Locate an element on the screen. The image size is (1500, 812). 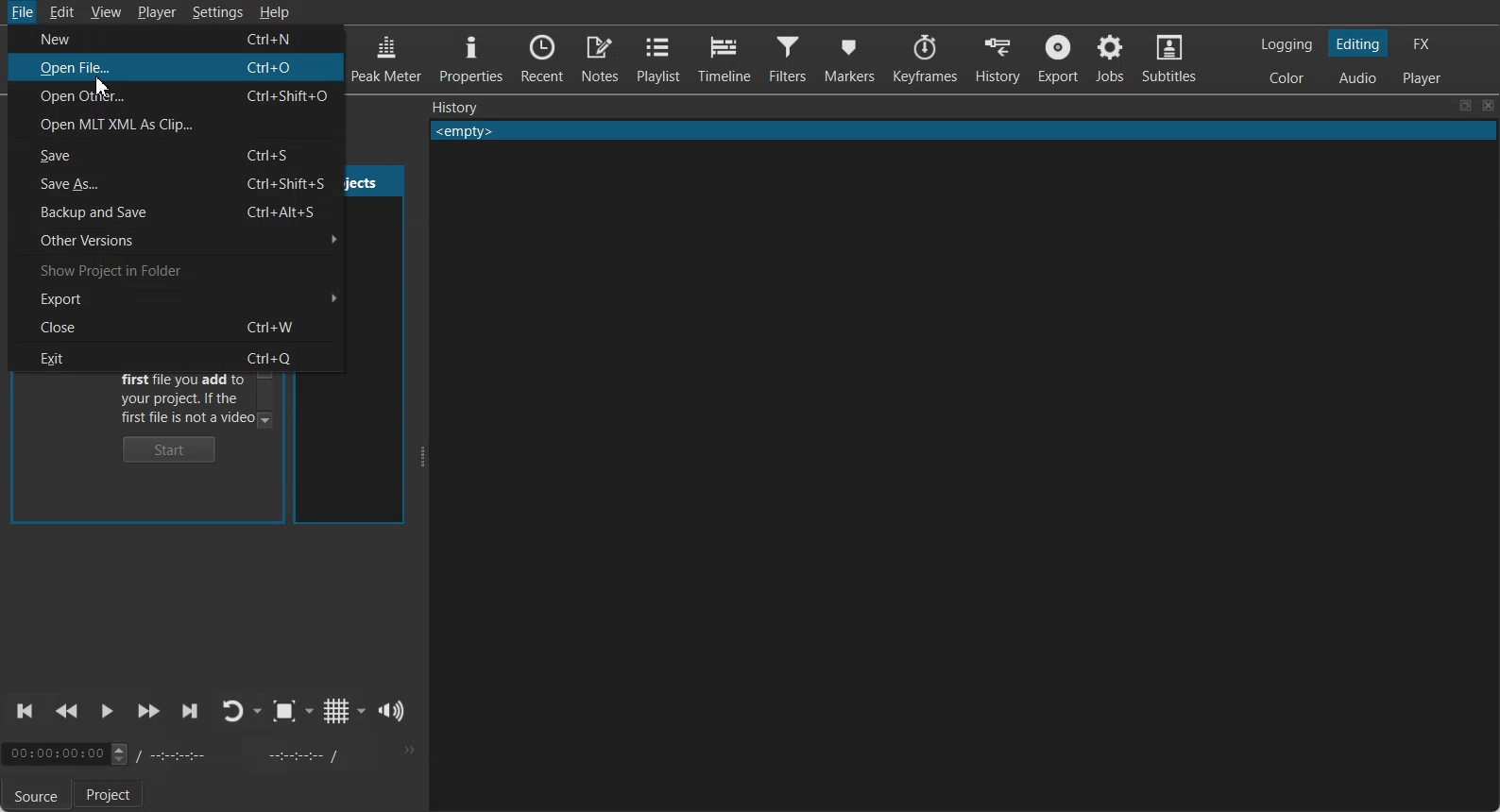
Save As is located at coordinates (104, 184).